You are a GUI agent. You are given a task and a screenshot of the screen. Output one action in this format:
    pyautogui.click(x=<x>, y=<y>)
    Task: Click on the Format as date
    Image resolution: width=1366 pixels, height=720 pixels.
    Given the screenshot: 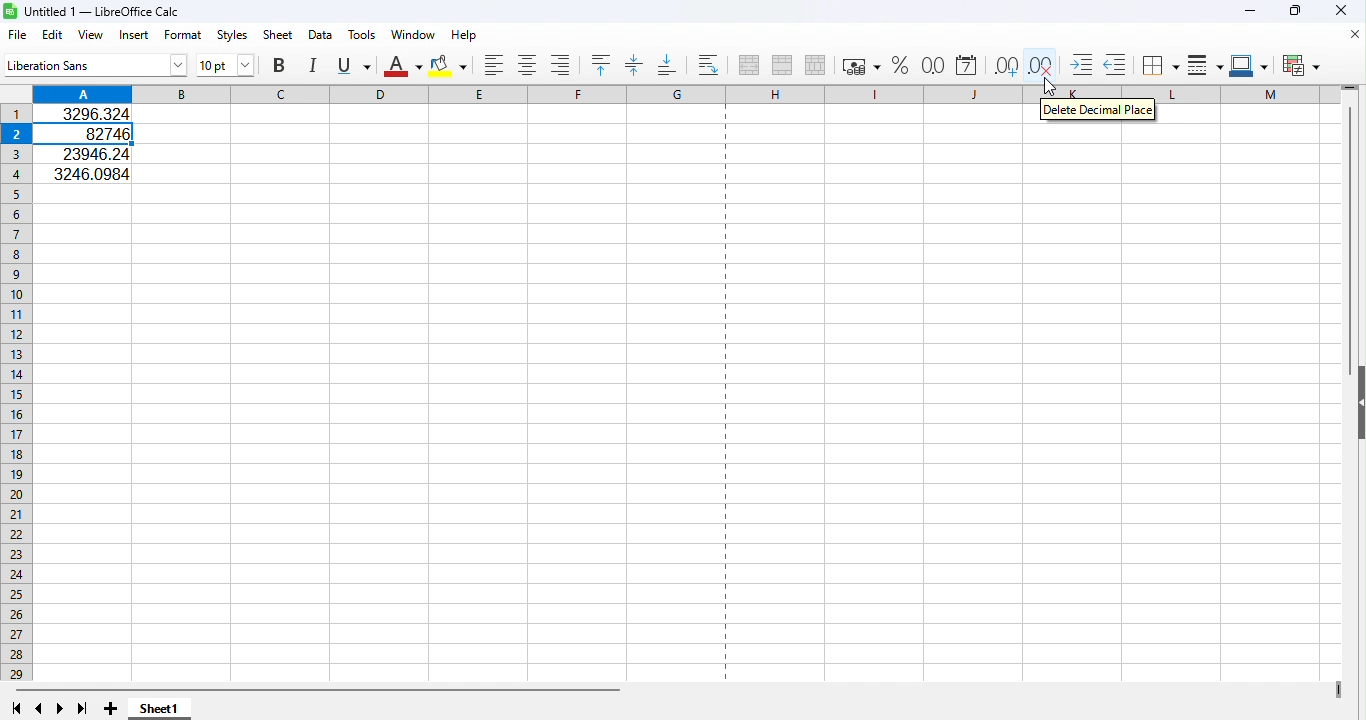 What is the action you would take?
    pyautogui.click(x=966, y=64)
    